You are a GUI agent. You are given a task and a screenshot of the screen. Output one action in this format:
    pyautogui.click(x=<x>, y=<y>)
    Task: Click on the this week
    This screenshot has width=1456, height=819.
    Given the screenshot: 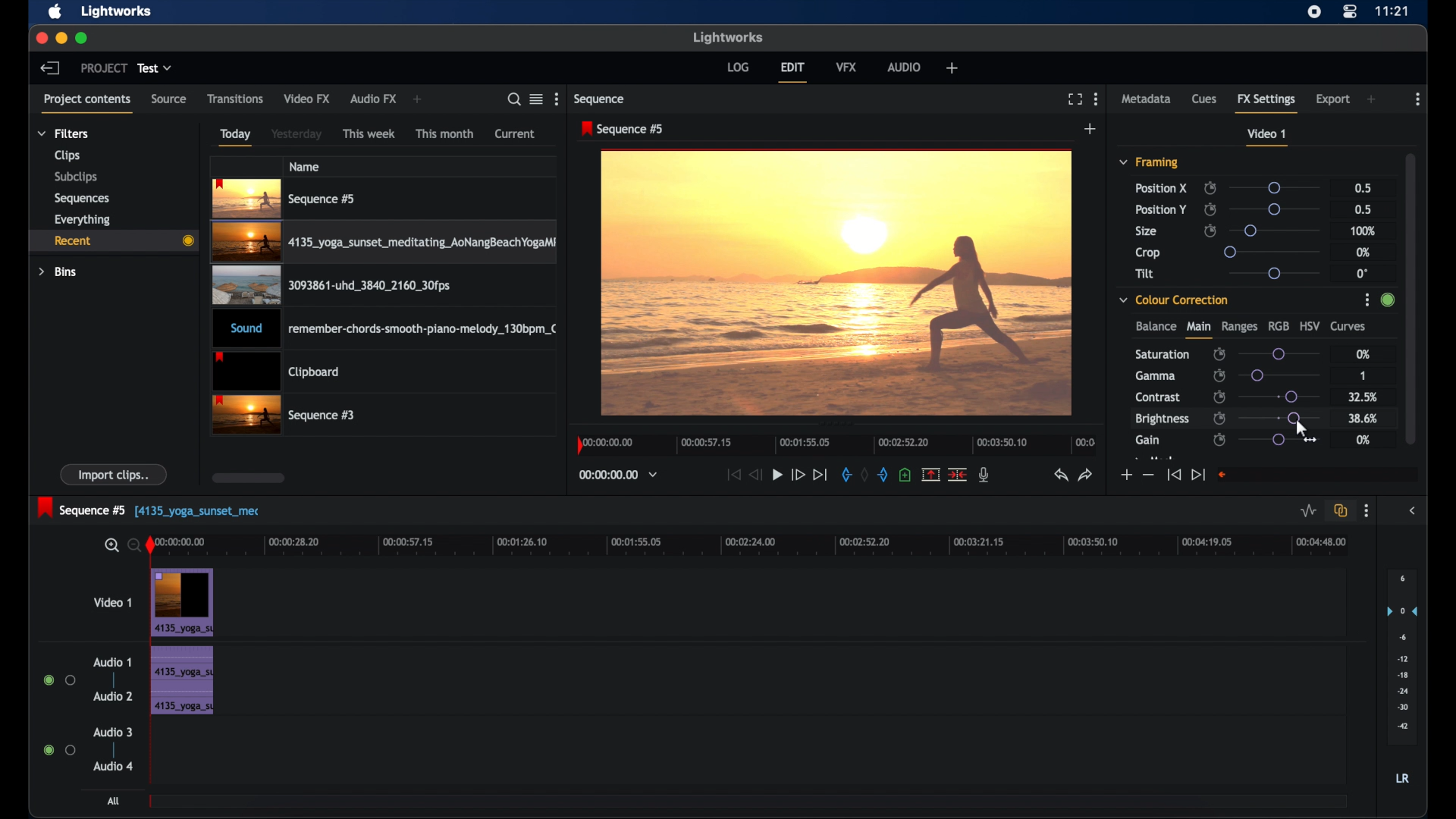 What is the action you would take?
    pyautogui.click(x=369, y=134)
    